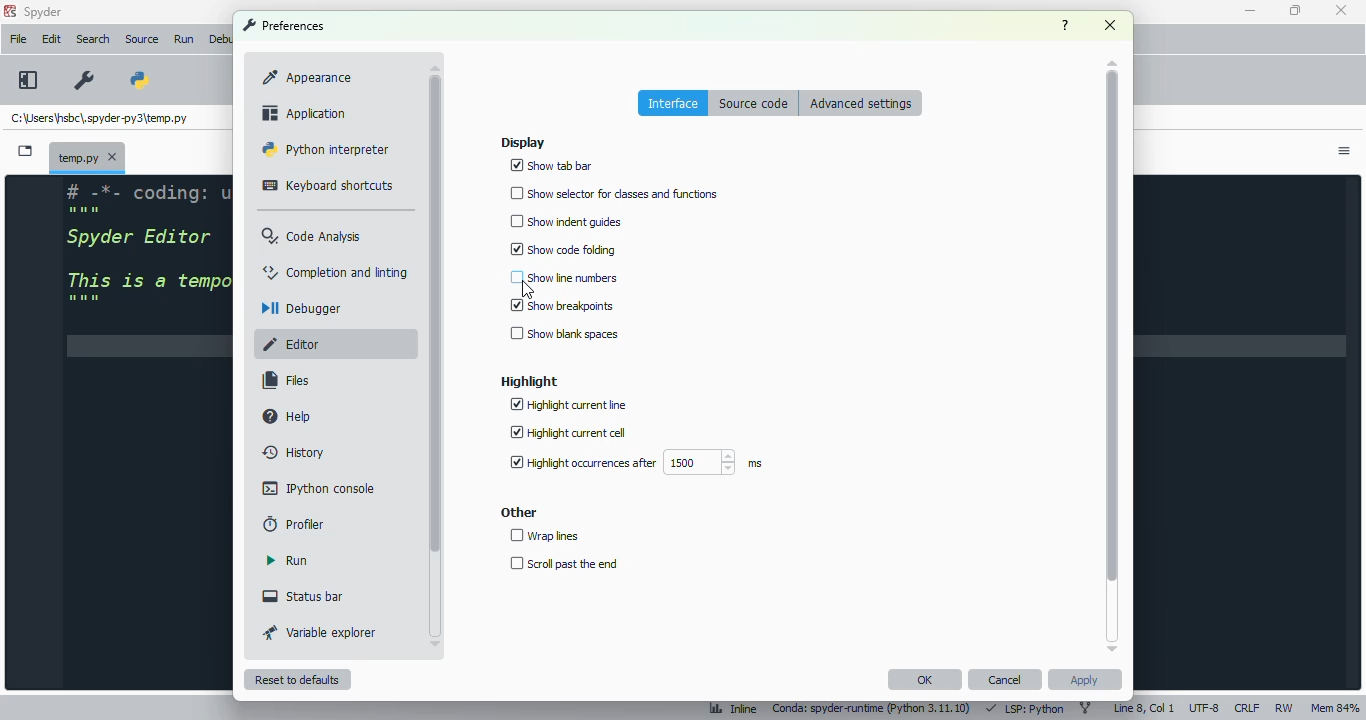 This screenshot has width=1366, height=720. Describe the element at coordinates (288, 415) in the screenshot. I see `help` at that location.